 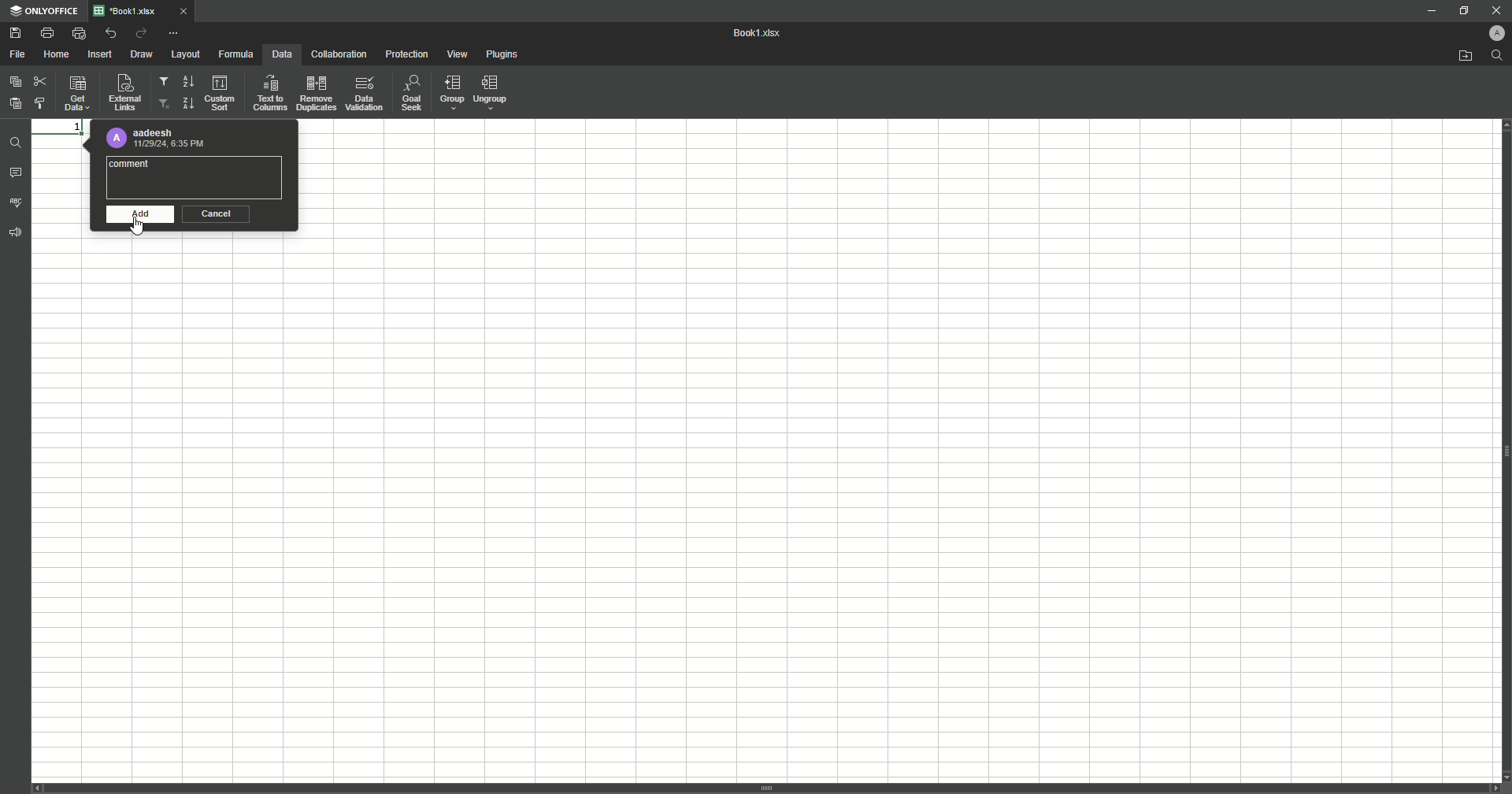 What do you see at coordinates (1458, 57) in the screenshot?
I see `Open from file` at bounding box center [1458, 57].